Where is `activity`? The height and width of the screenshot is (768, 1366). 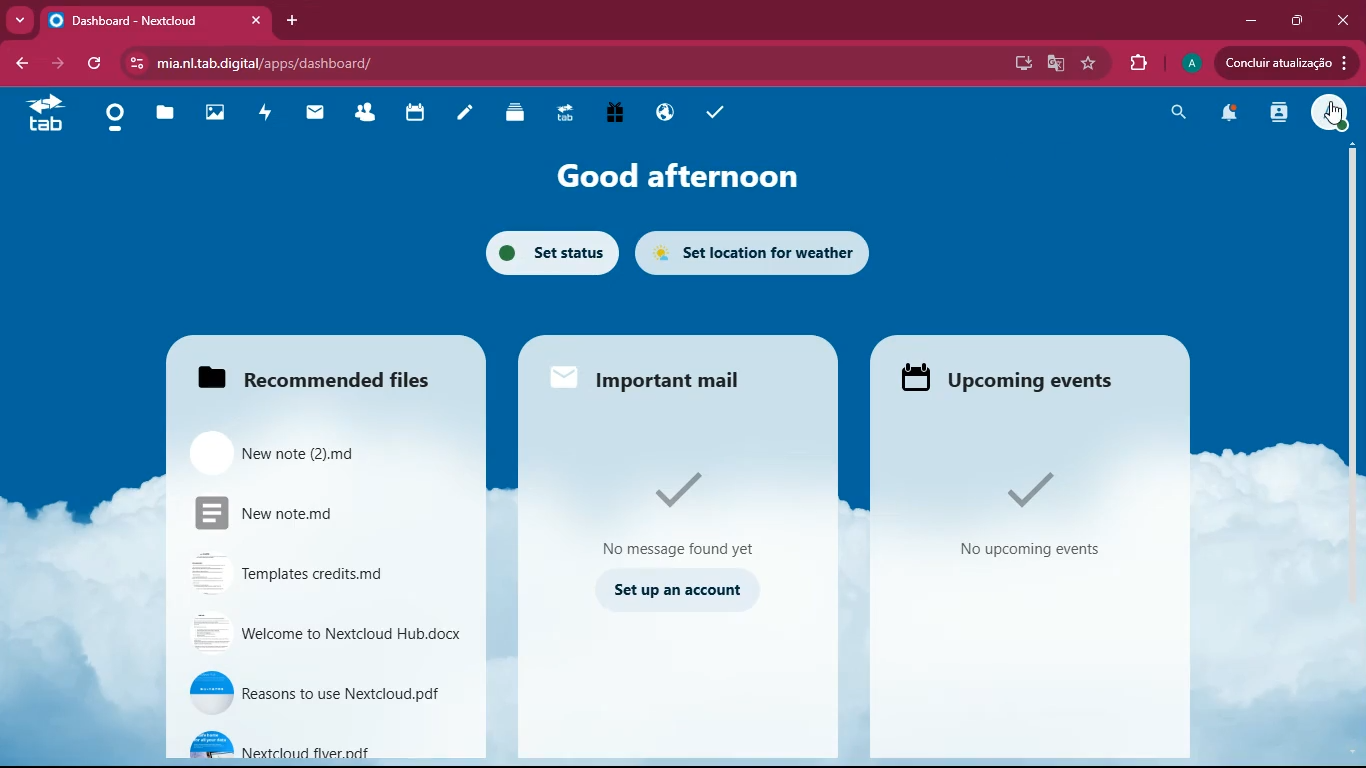
activity is located at coordinates (262, 112).